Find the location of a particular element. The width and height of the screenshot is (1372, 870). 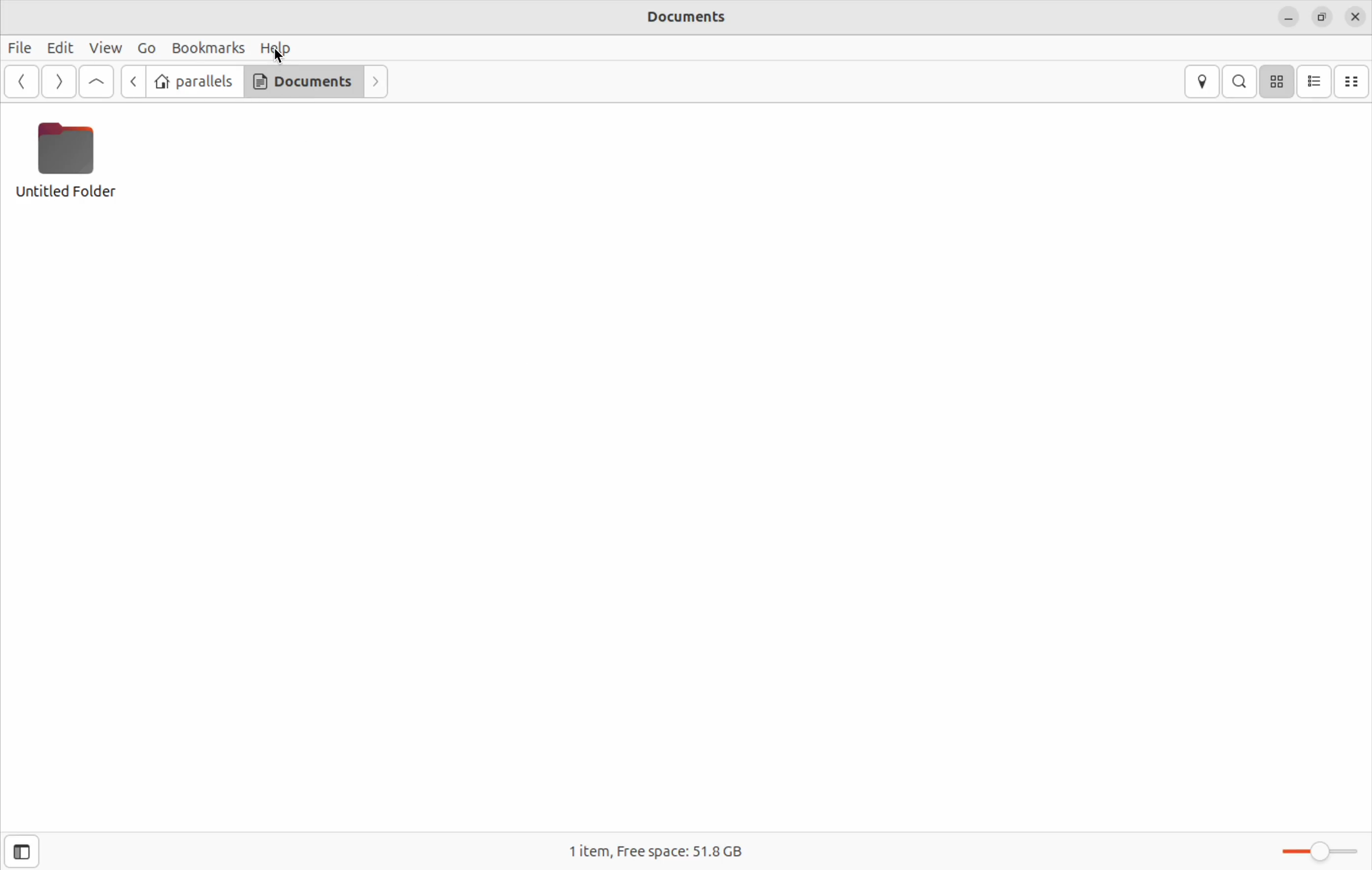

searchbar is located at coordinates (1240, 80).